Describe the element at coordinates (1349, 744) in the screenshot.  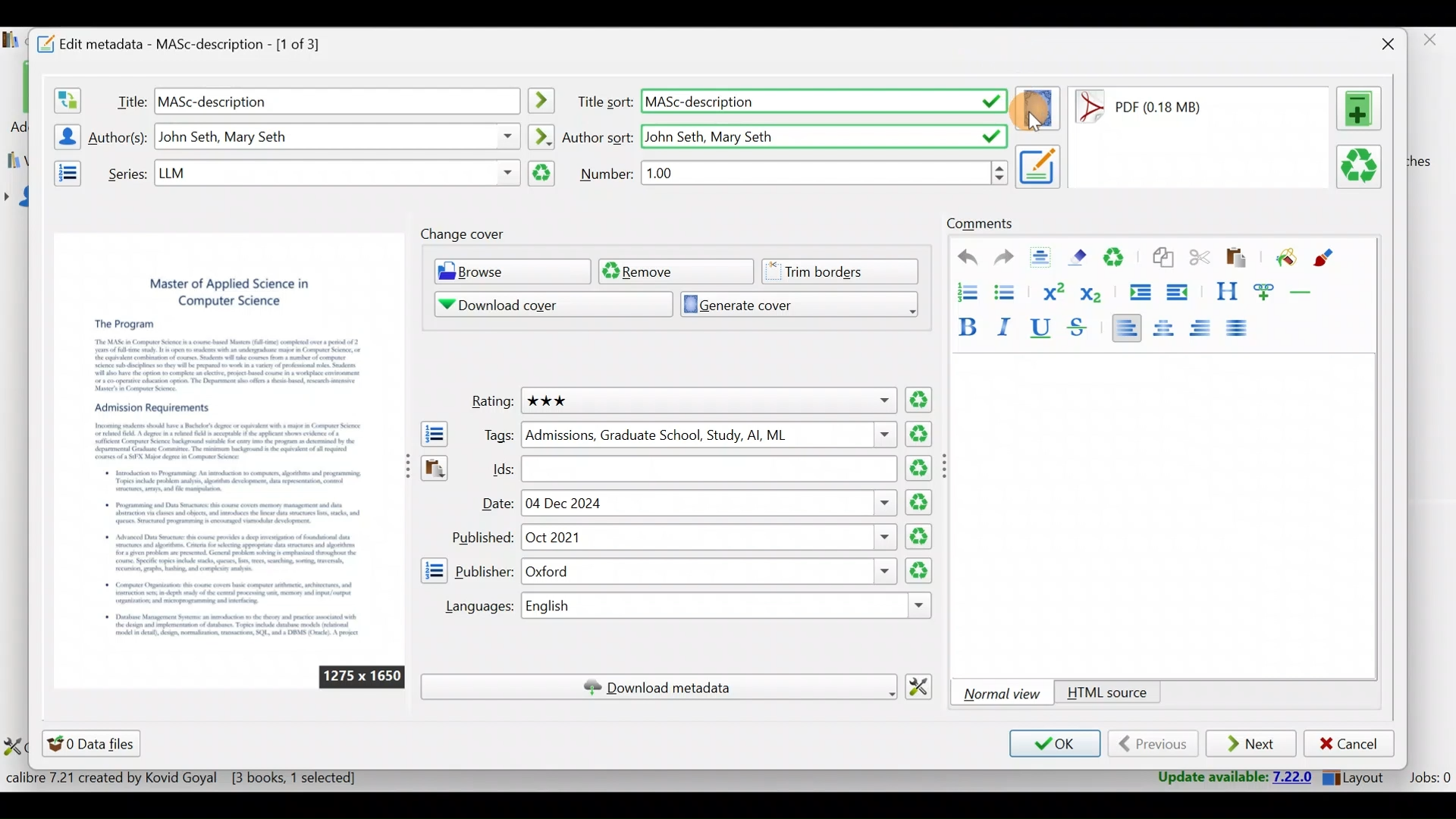
I see `Cancel` at that location.